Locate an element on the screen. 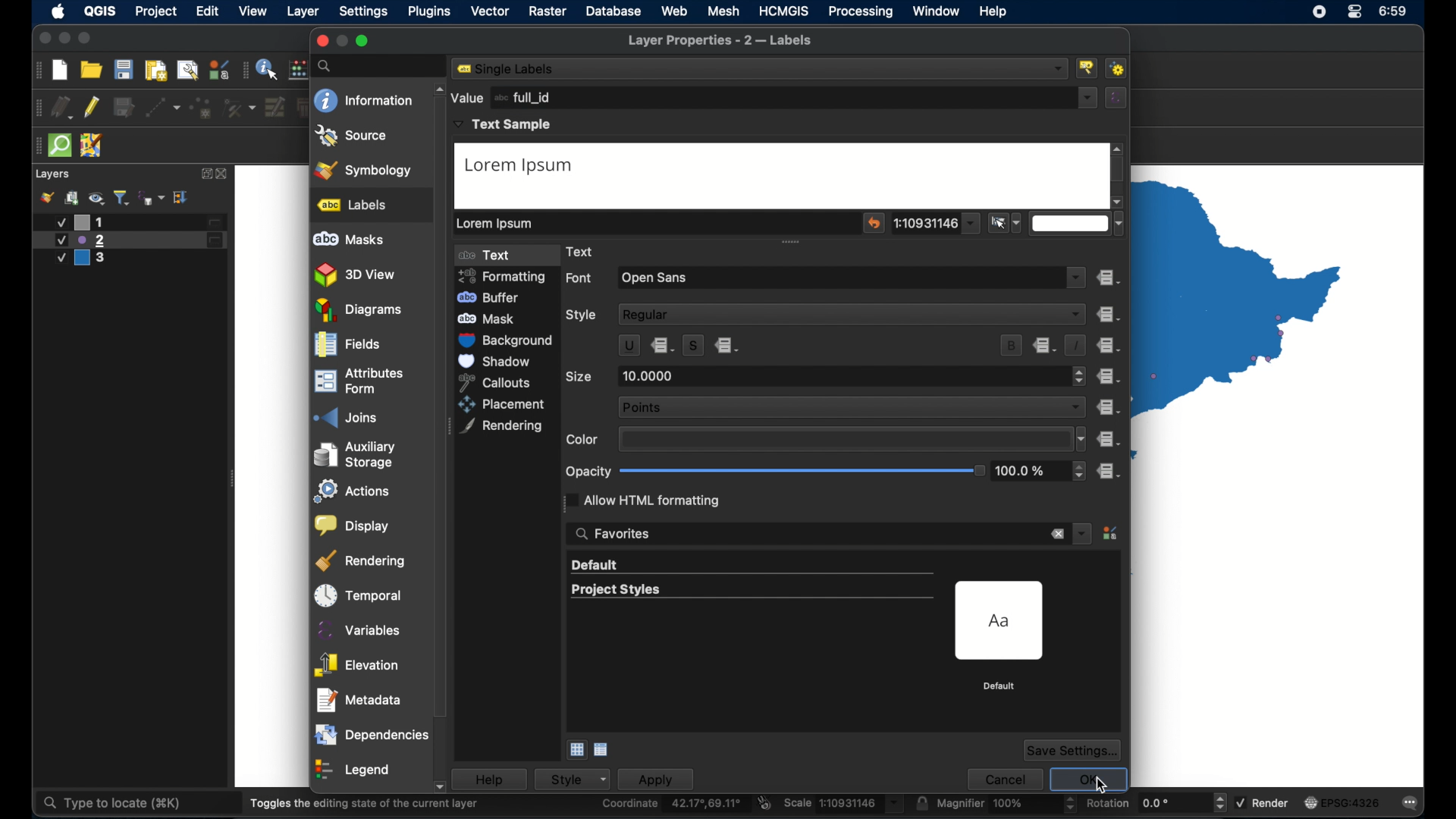 The image size is (1456, 819). dependencies is located at coordinates (371, 732).